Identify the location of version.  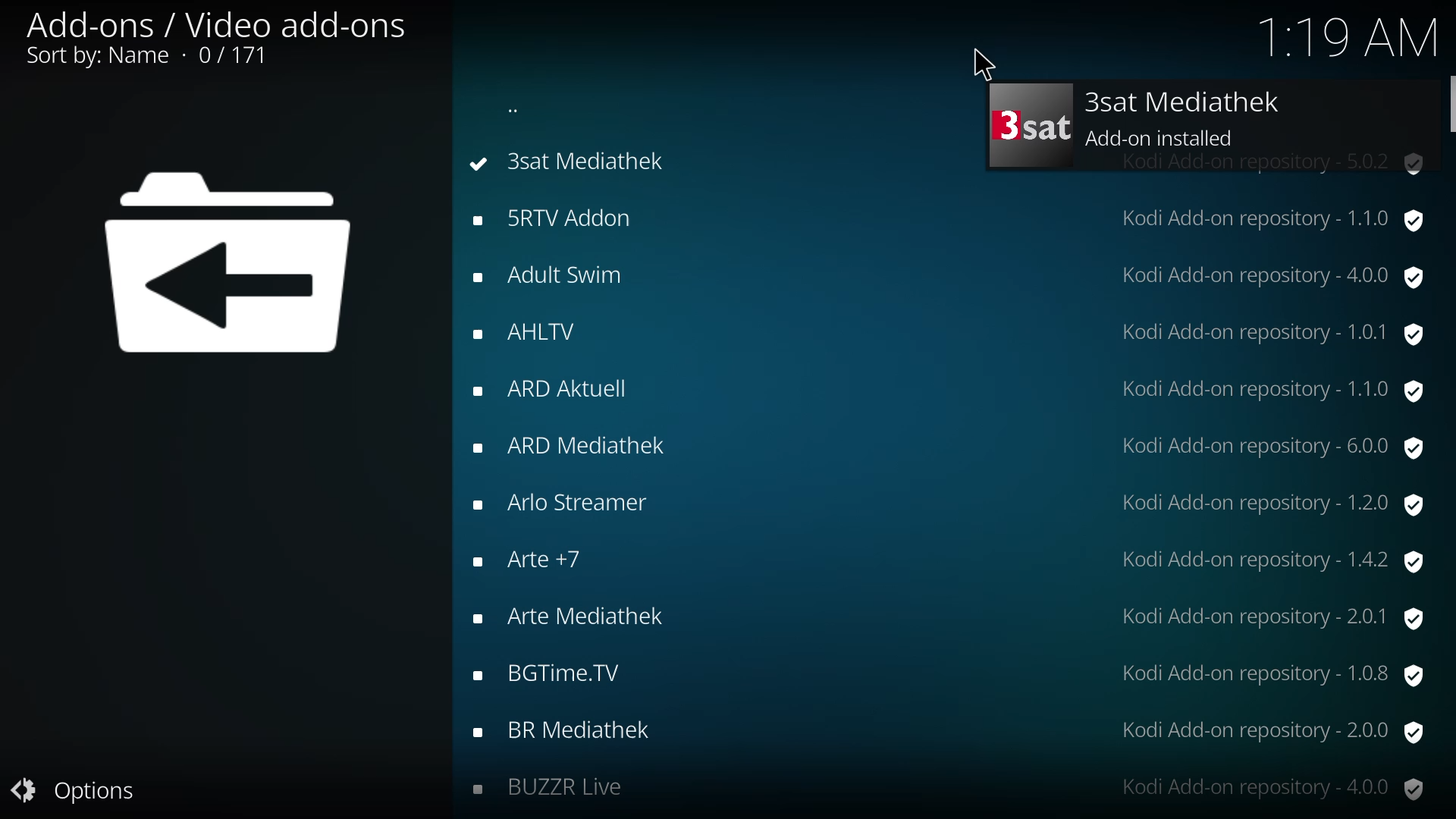
(1261, 333).